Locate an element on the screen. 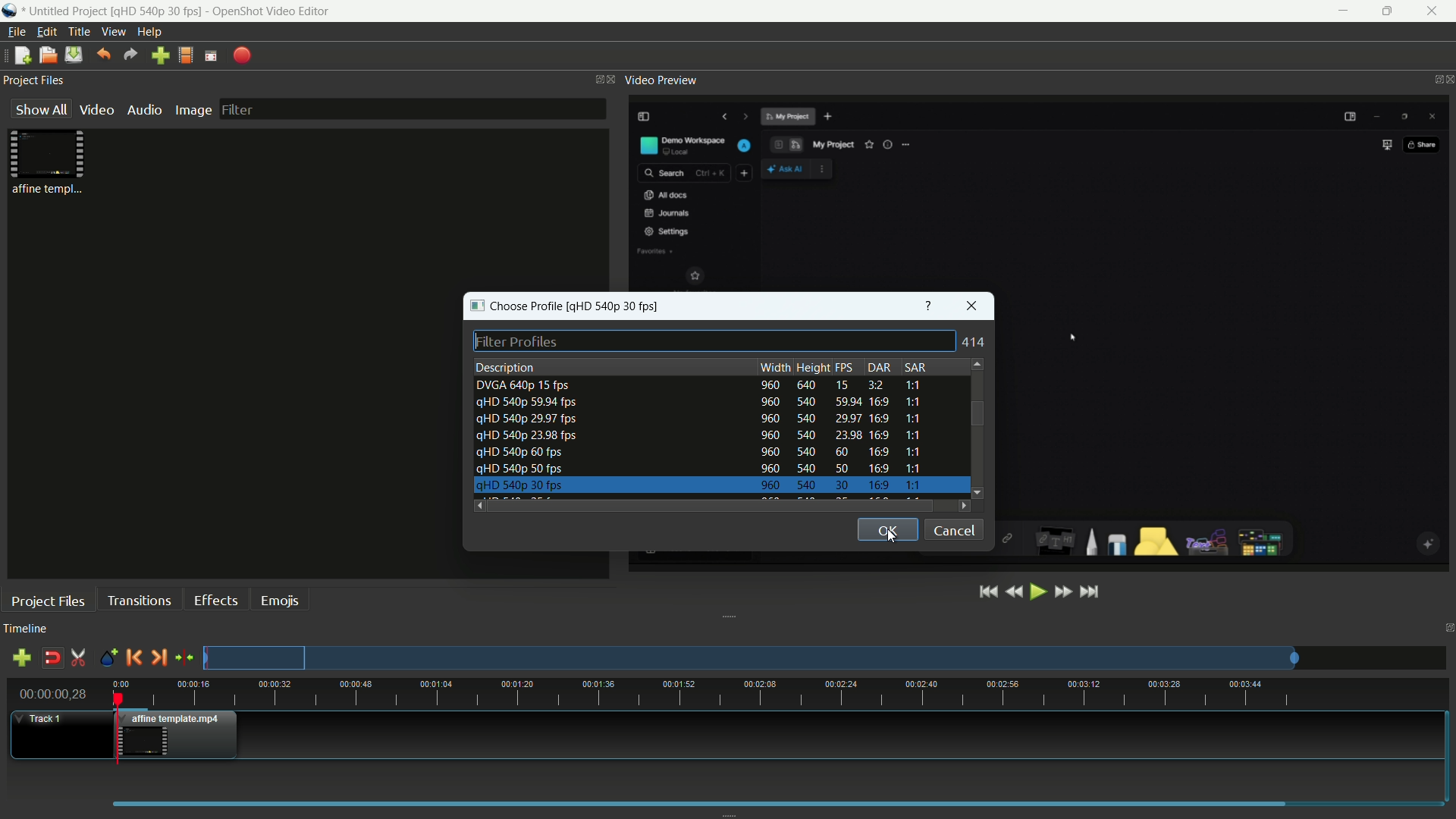  profile-4 is located at coordinates (697, 437).